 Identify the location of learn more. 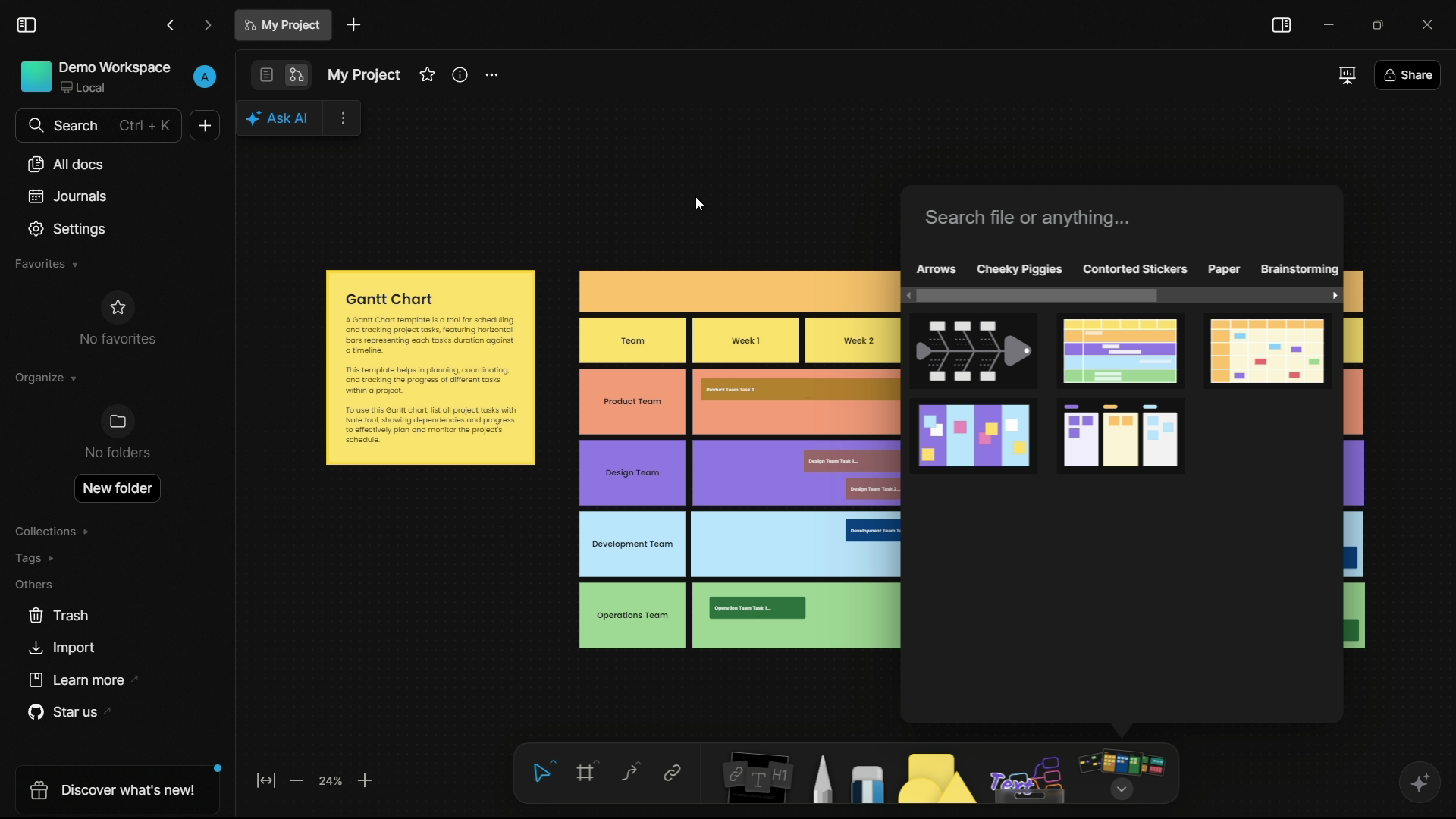
(74, 679).